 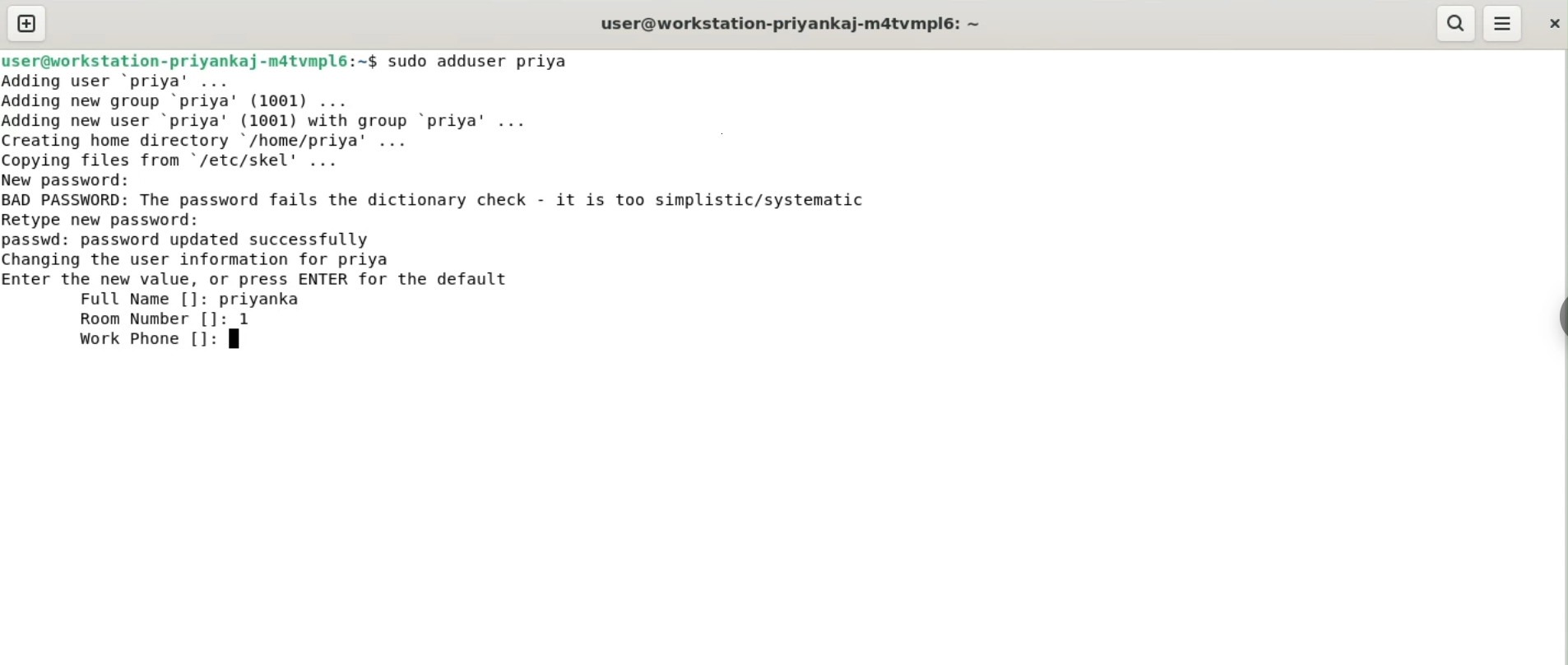 I want to click on user@workstation-priyankaj-m4tvmpl6:~, so click(x=787, y=23).